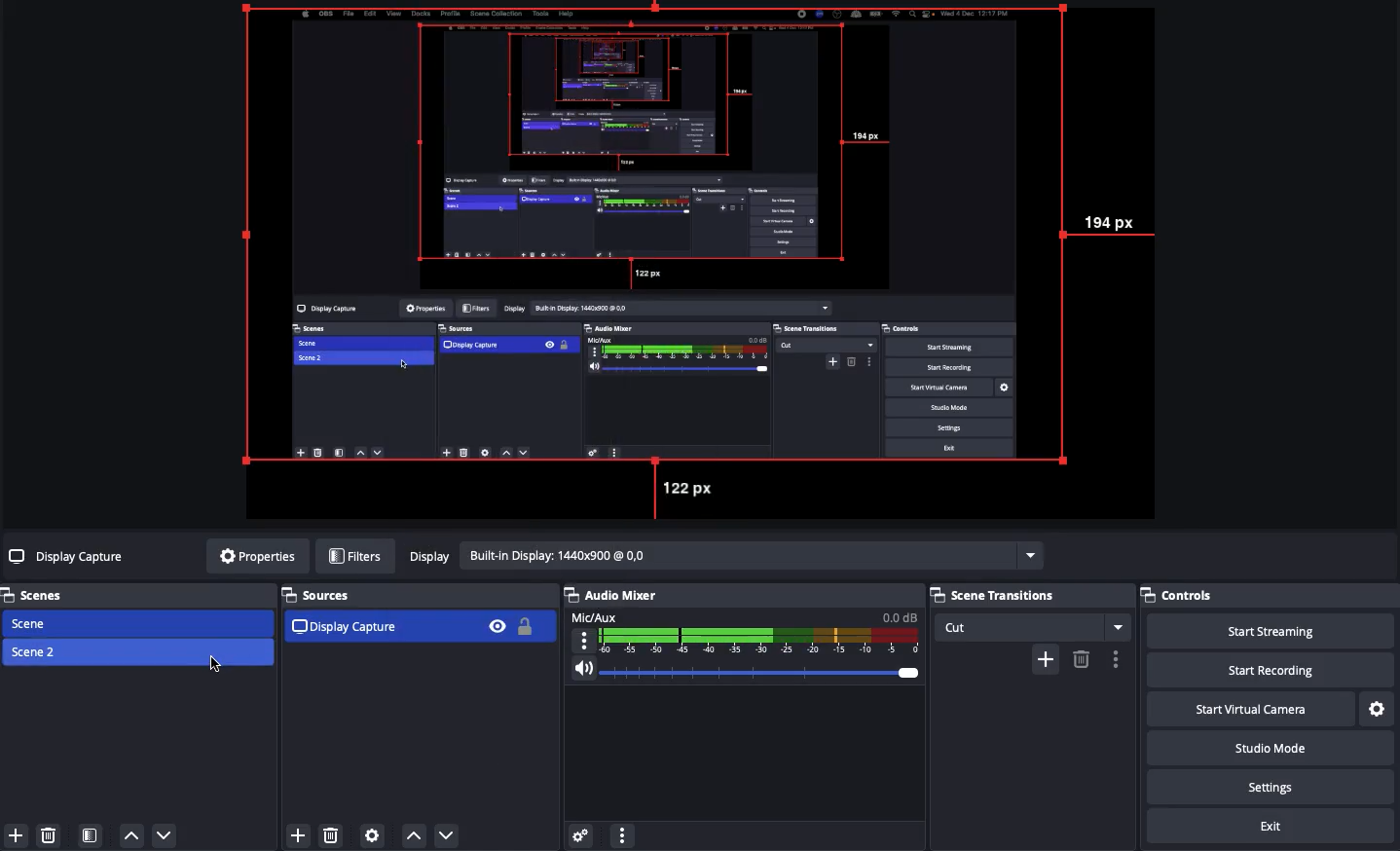 The width and height of the screenshot is (1400, 851). Describe the element at coordinates (753, 554) in the screenshot. I see `display field` at that location.